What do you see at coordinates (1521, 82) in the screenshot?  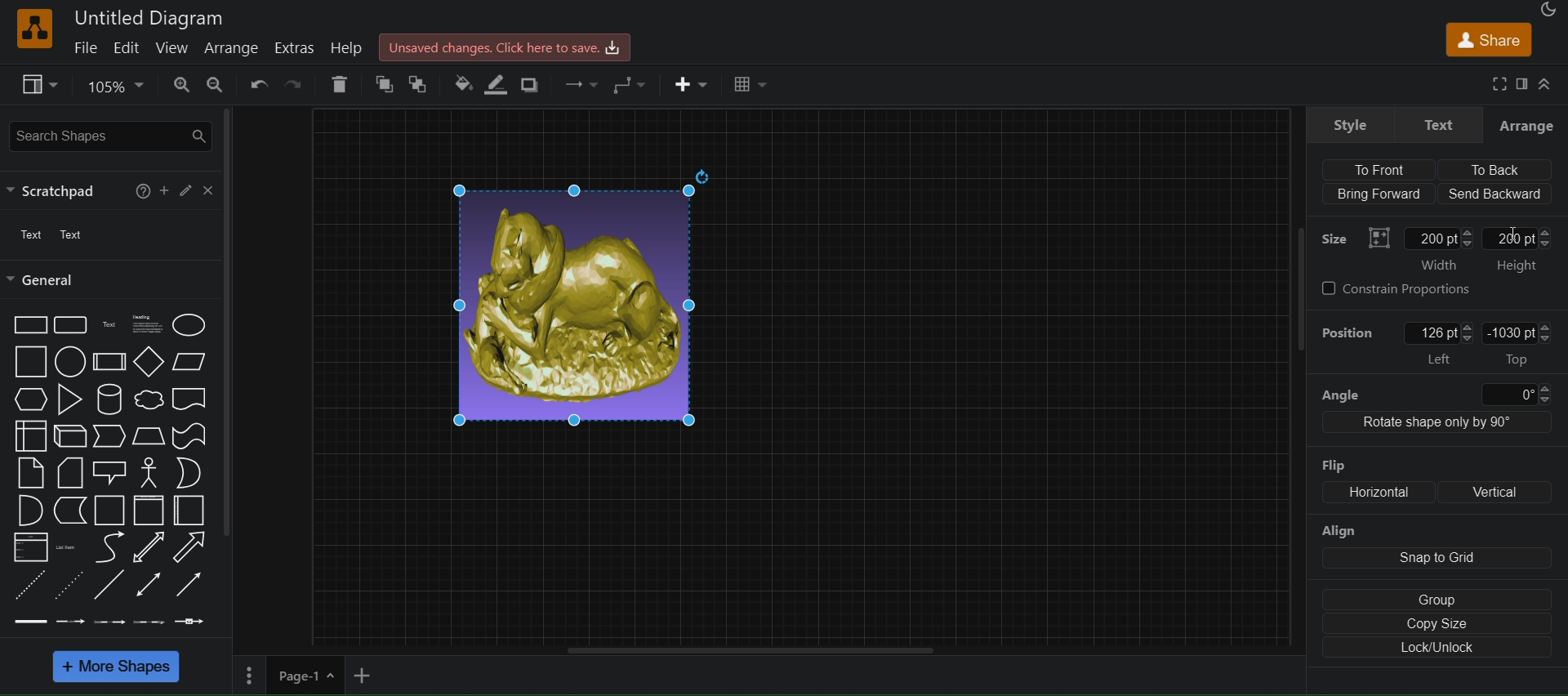 I see `format` at bounding box center [1521, 82].